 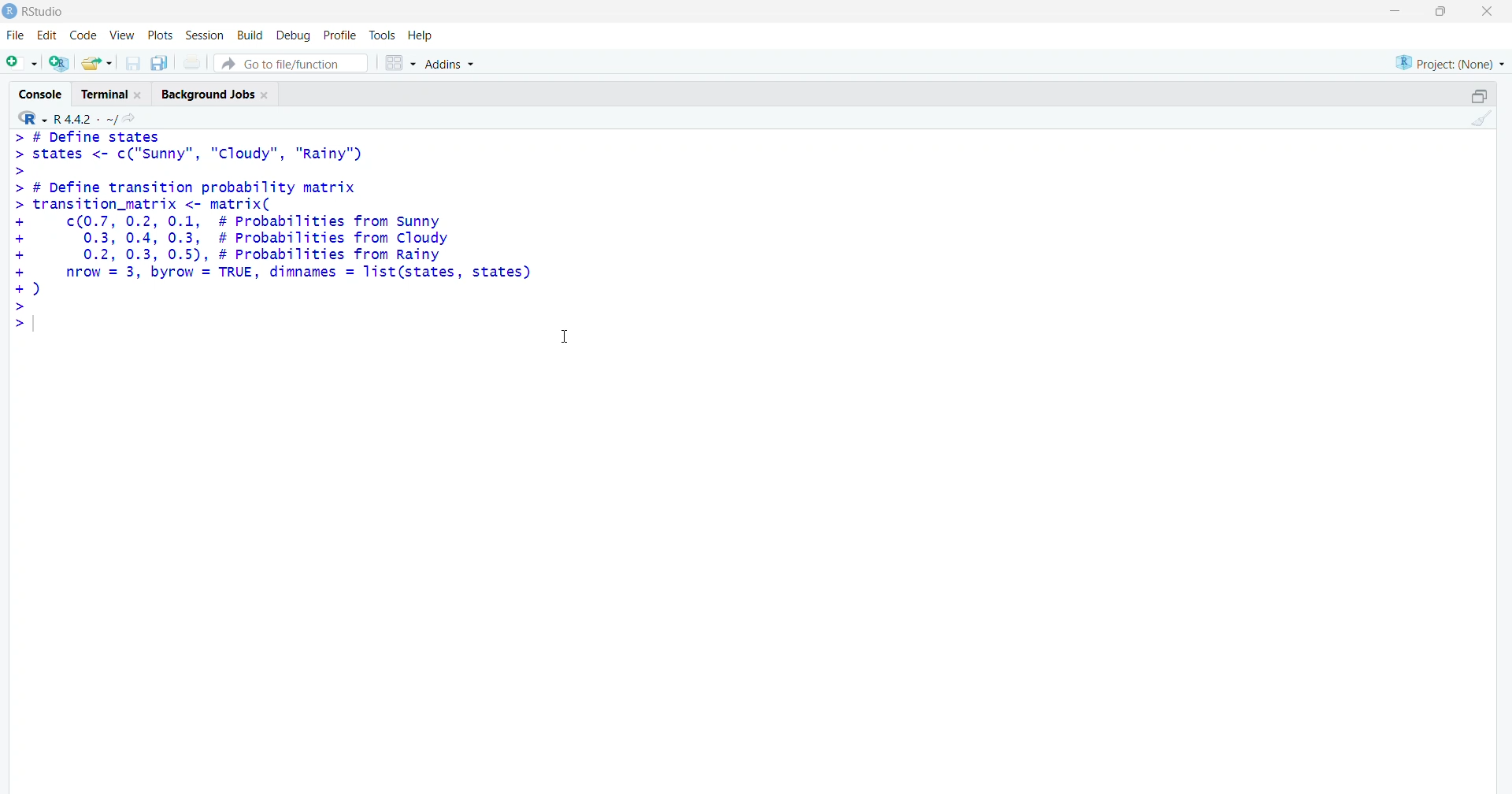 What do you see at coordinates (134, 118) in the screenshot?
I see `view the current working directory` at bounding box center [134, 118].